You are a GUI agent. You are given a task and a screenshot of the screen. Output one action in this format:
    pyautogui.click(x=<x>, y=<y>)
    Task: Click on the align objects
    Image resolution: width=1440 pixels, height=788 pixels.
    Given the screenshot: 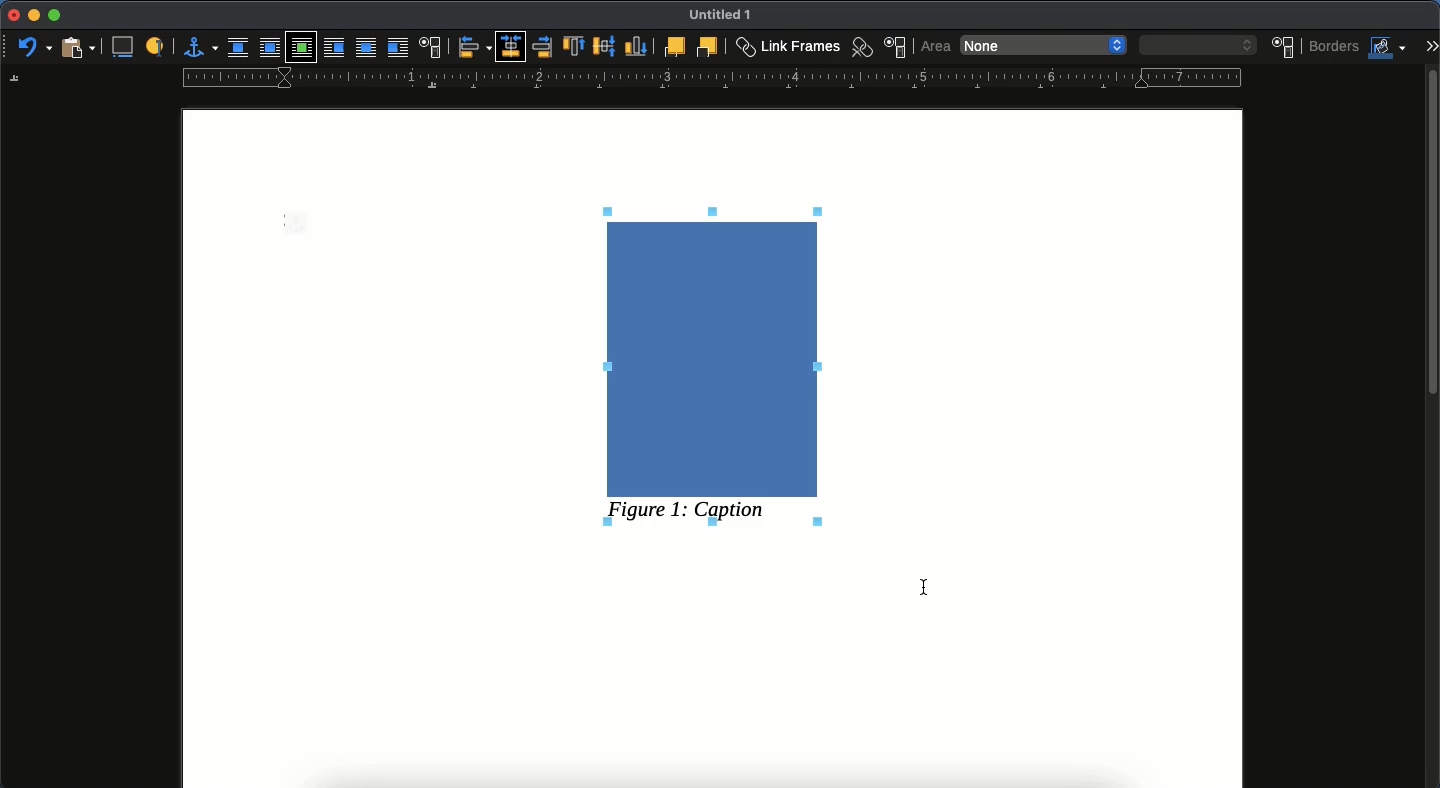 What is the action you would take?
    pyautogui.click(x=475, y=46)
    